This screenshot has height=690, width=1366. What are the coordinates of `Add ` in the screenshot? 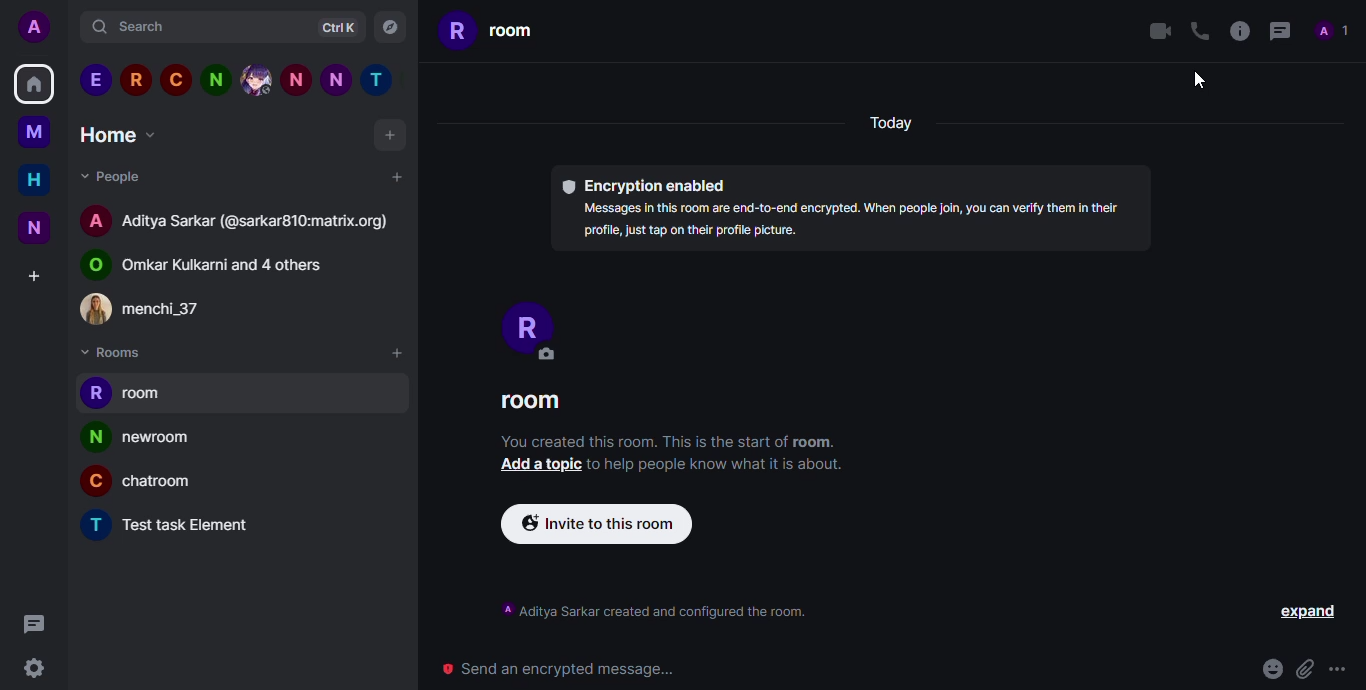 It's located at (33, 276).